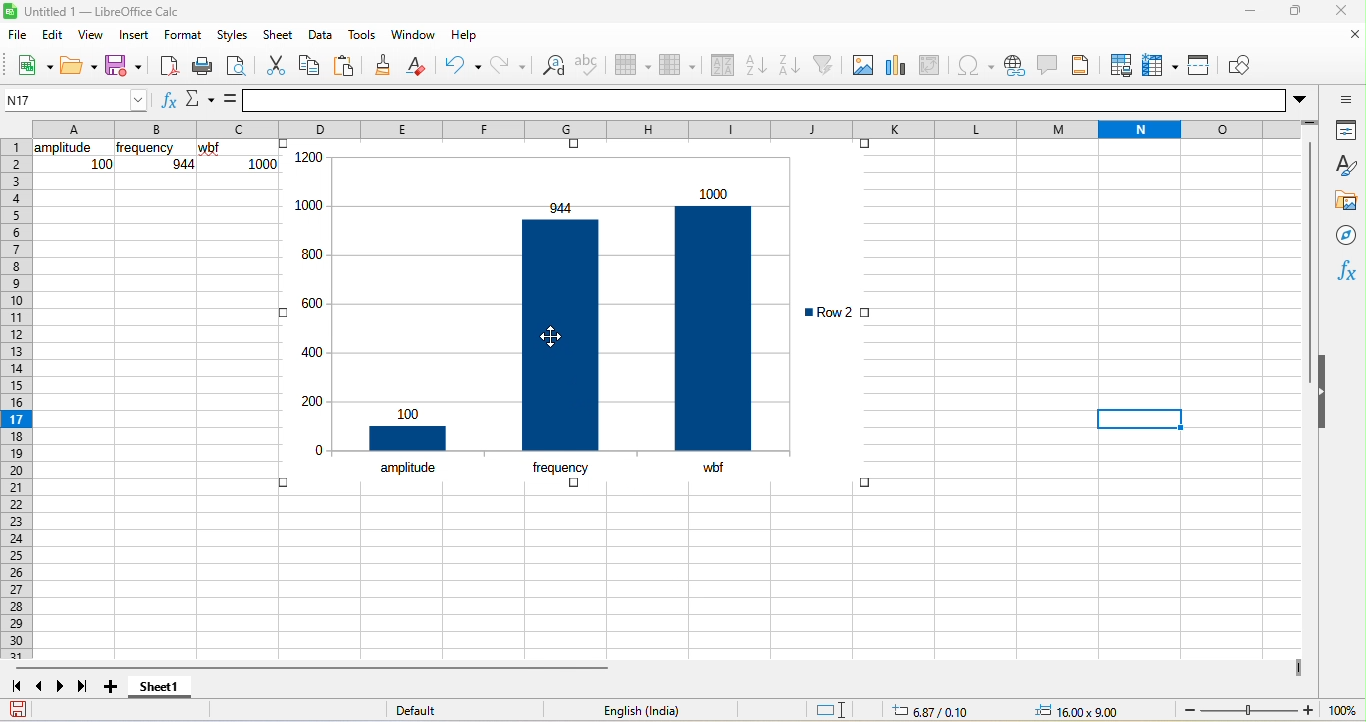 The height and width of the screenshot is (722, 1366). Describe the element at coordinates (419, 65) in the screenshot. I see `clear direct formatting` at that location.